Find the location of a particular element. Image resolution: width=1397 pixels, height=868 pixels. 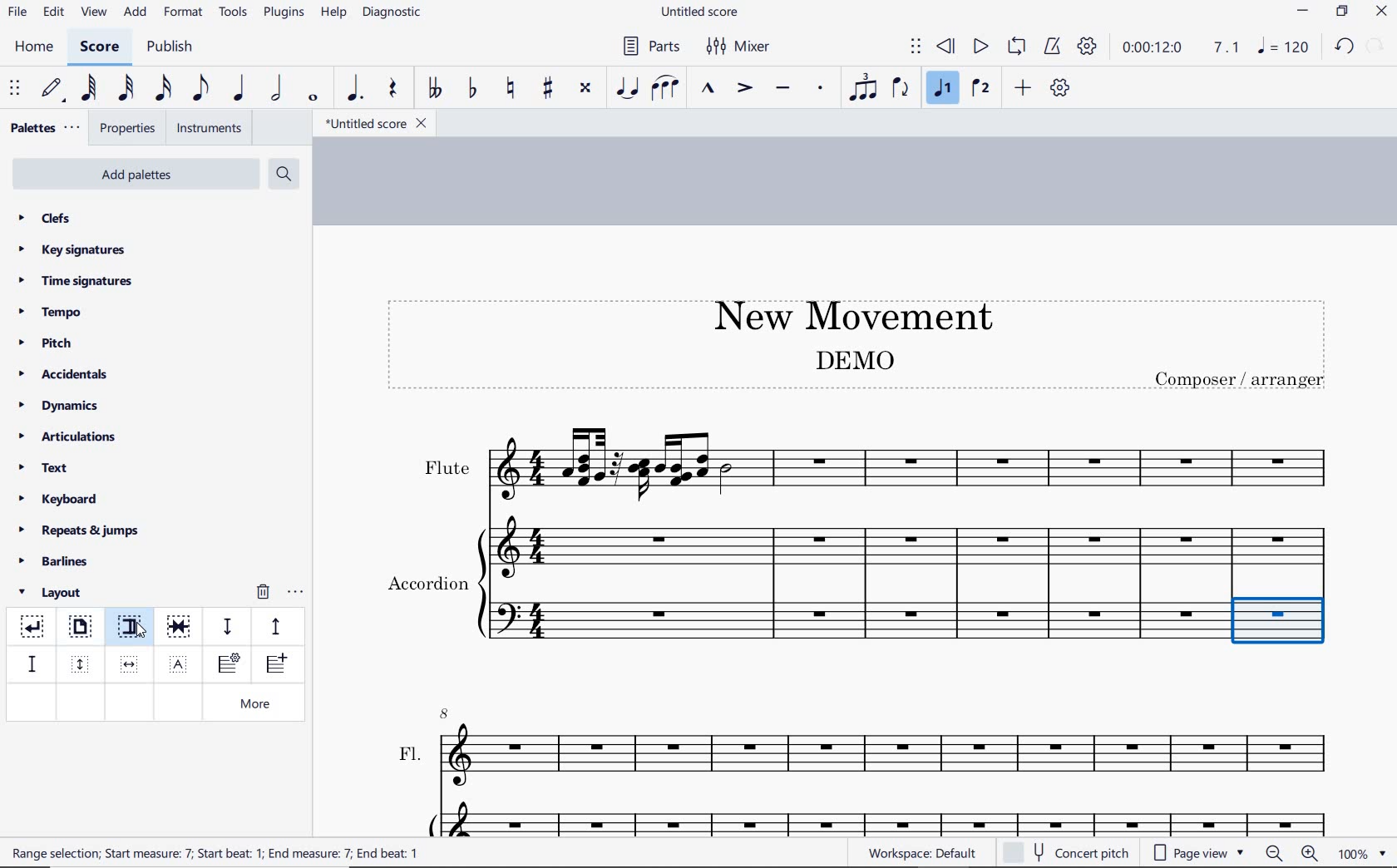

barlines is located at coordinates (59, 562).